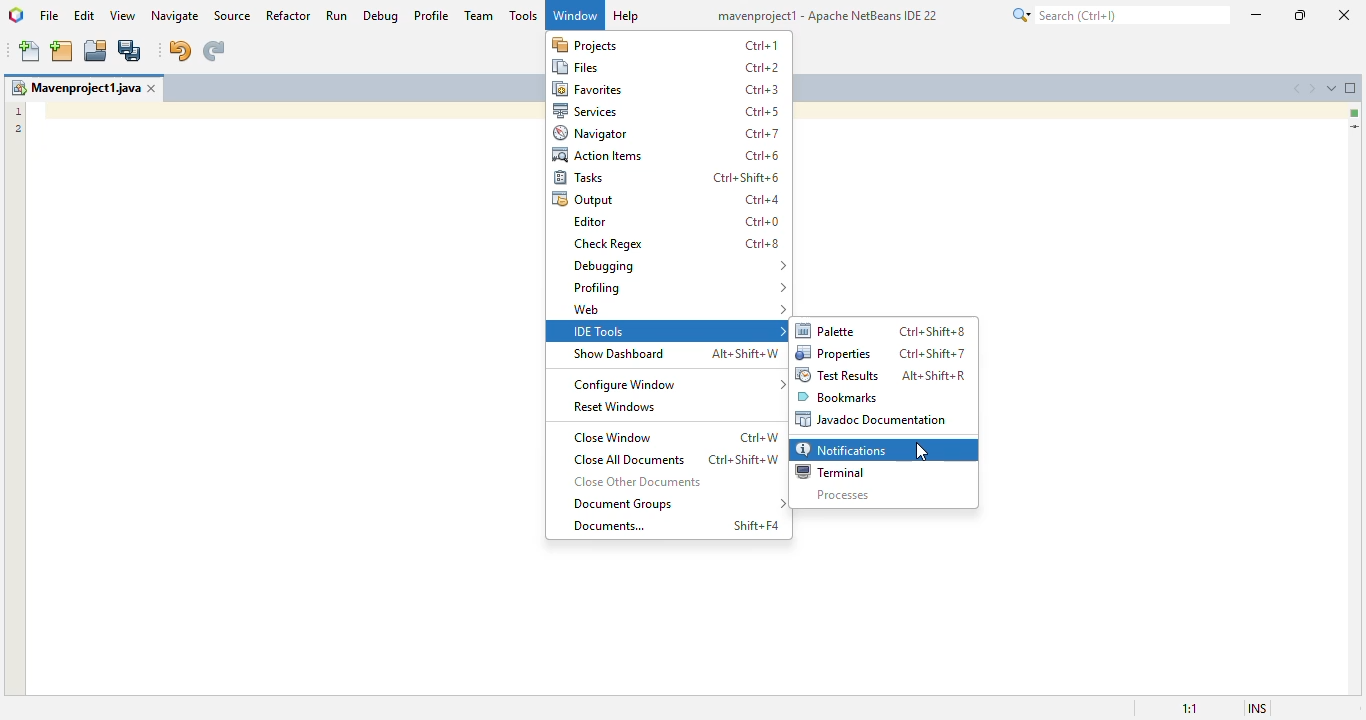 This screenshot has width=1366, height=720. I want to click on undo, so click(179, 51).